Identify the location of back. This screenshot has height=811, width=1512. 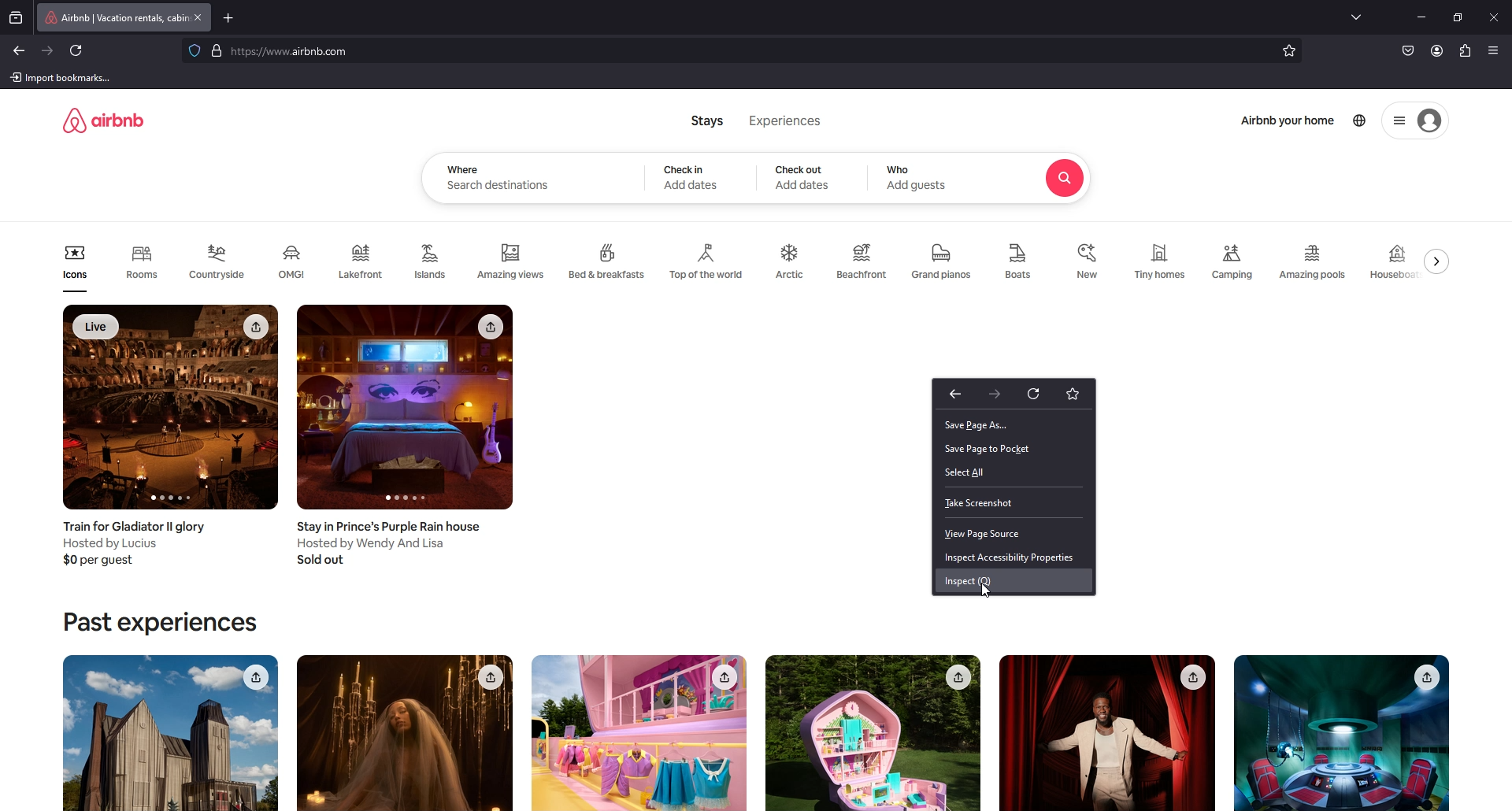
(20, 51).